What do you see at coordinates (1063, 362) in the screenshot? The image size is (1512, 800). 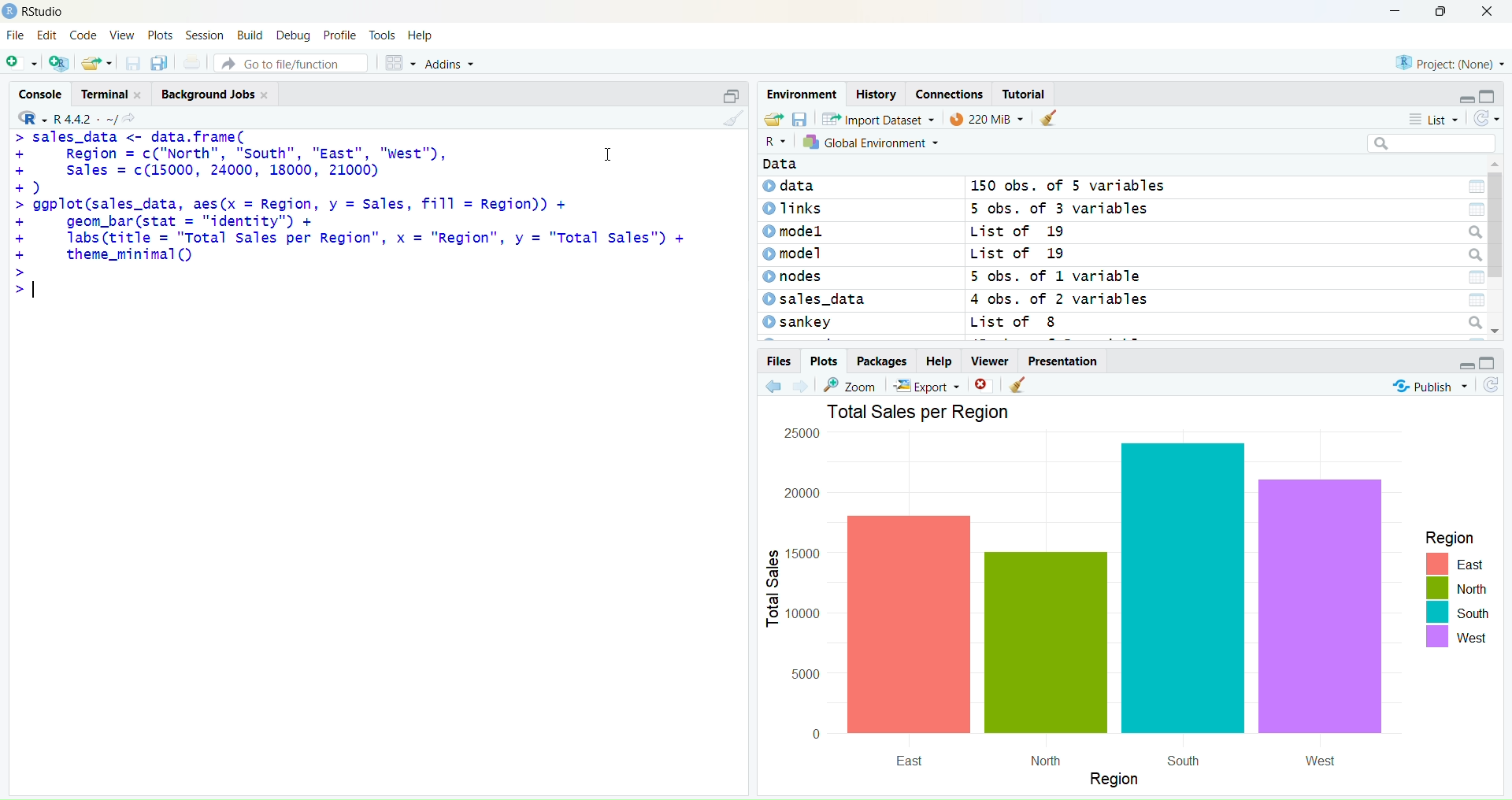 I see `wer Presentation` at bounding box center [1063, 362].